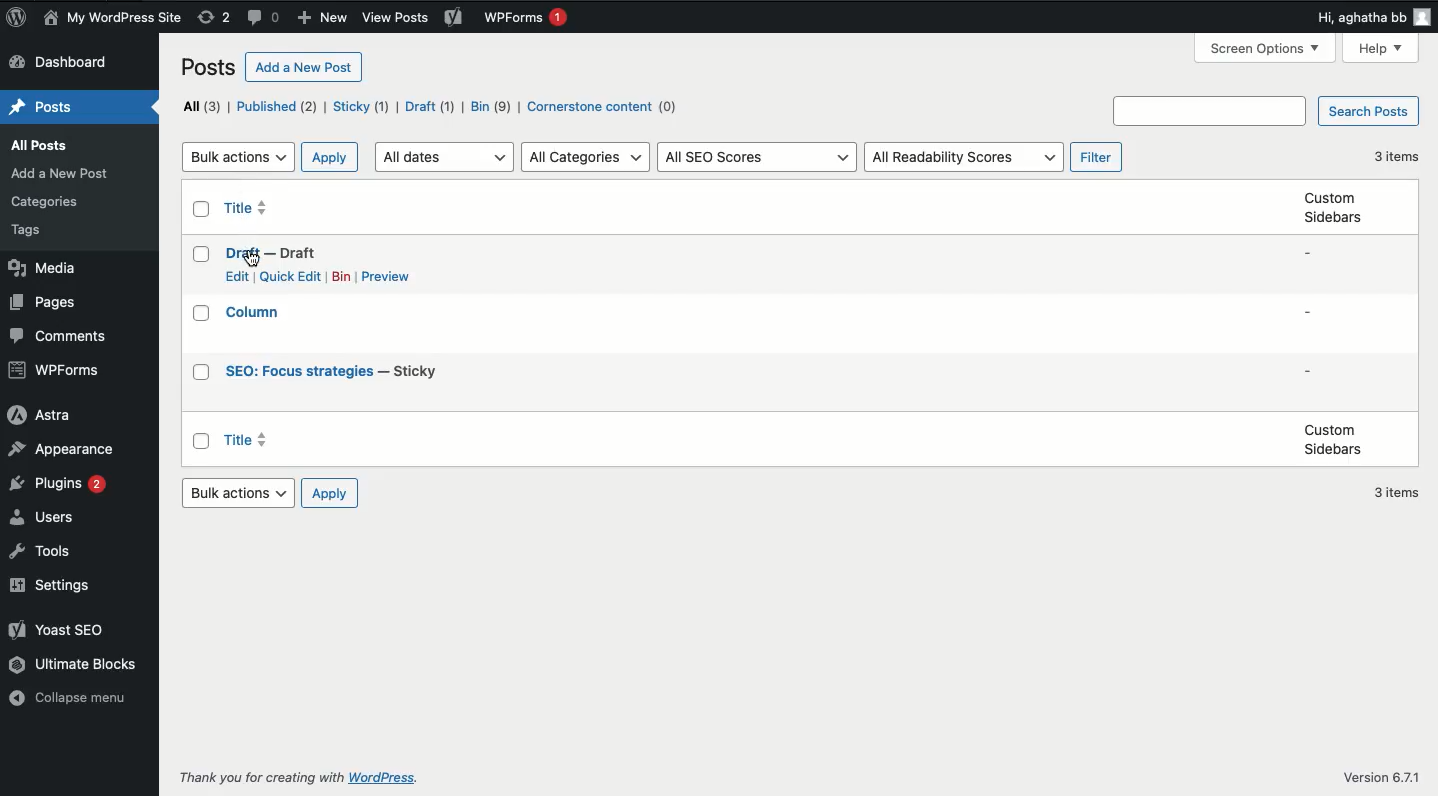 The height and width of the screenshot is (796, 1438). I want to click on Plugins, so click(59, 483).